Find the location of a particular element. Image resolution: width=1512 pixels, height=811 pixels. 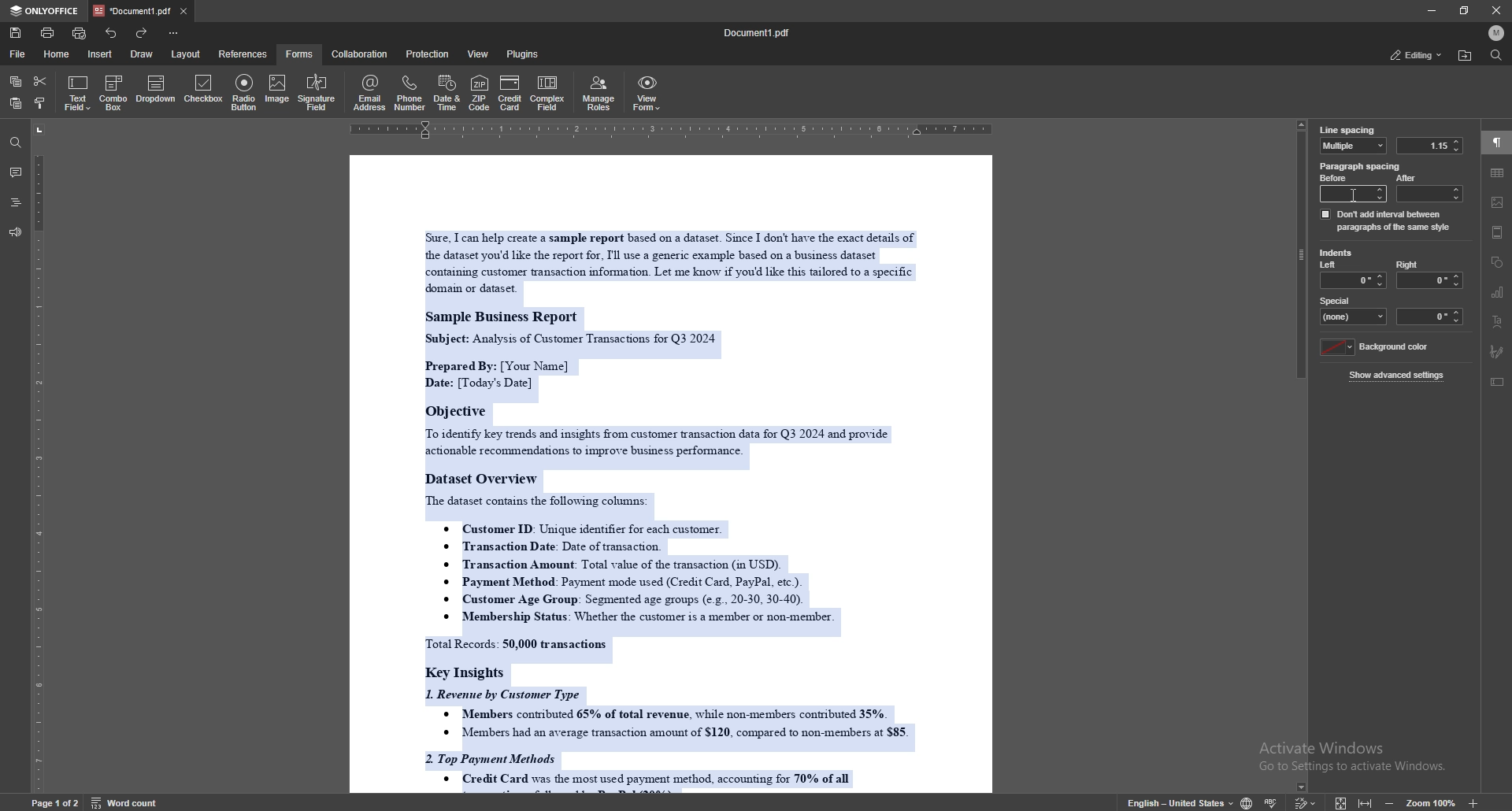

track change is located at coordinates (1306, 801).